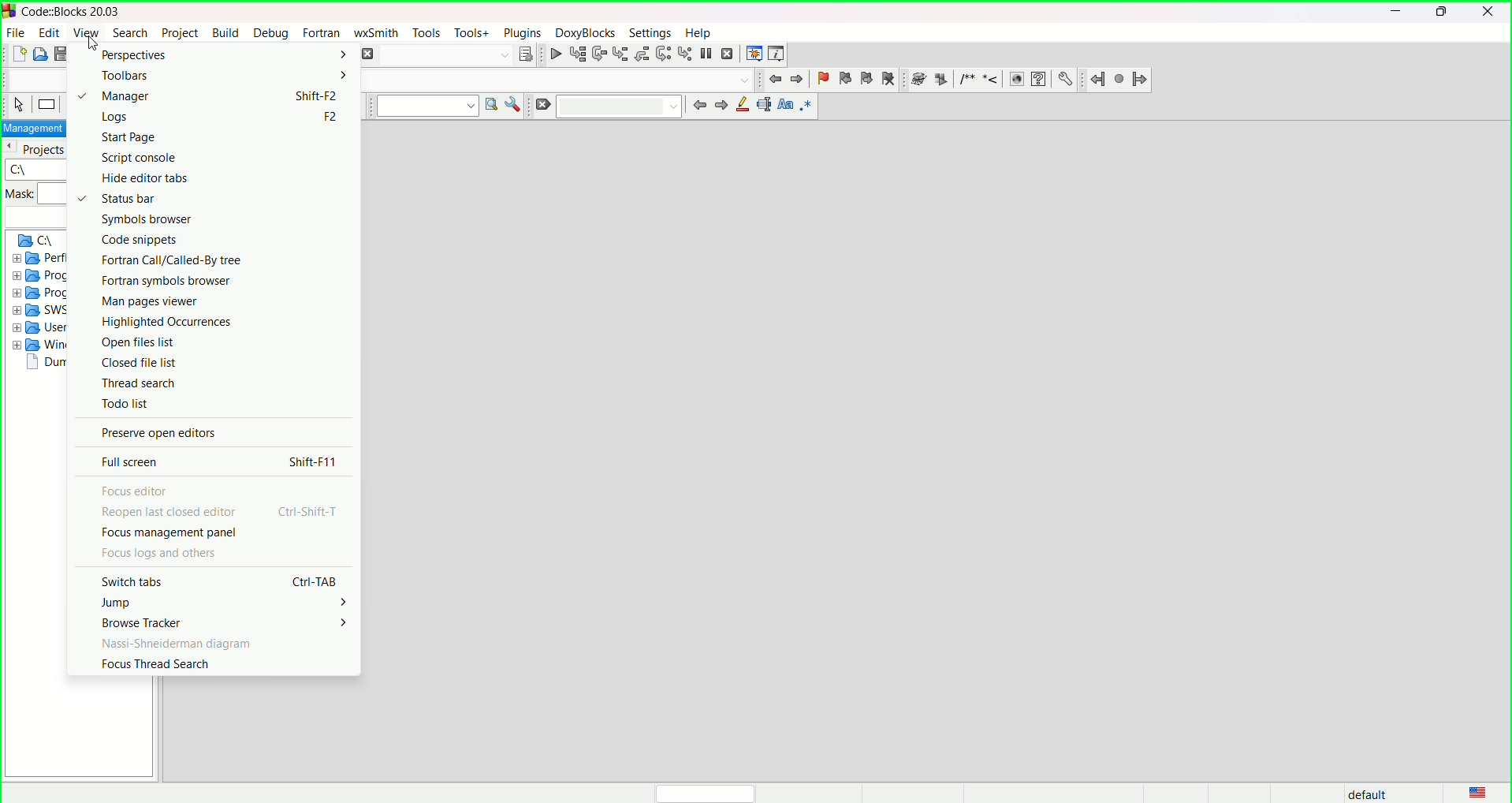  I want to click on cursor, so click(93, 43).